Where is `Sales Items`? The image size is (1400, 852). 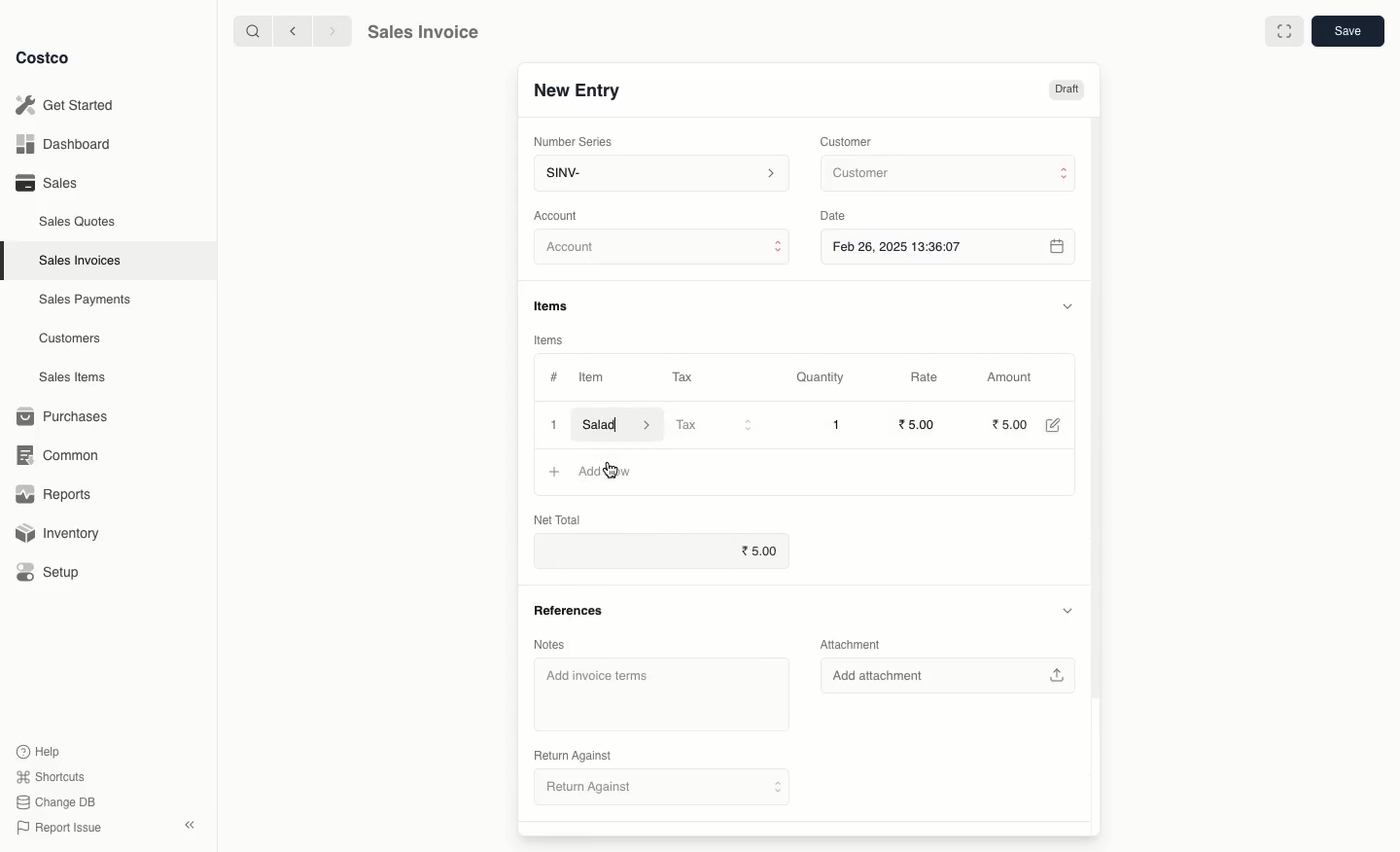
Sales Items is located at coordinates (77, 377).